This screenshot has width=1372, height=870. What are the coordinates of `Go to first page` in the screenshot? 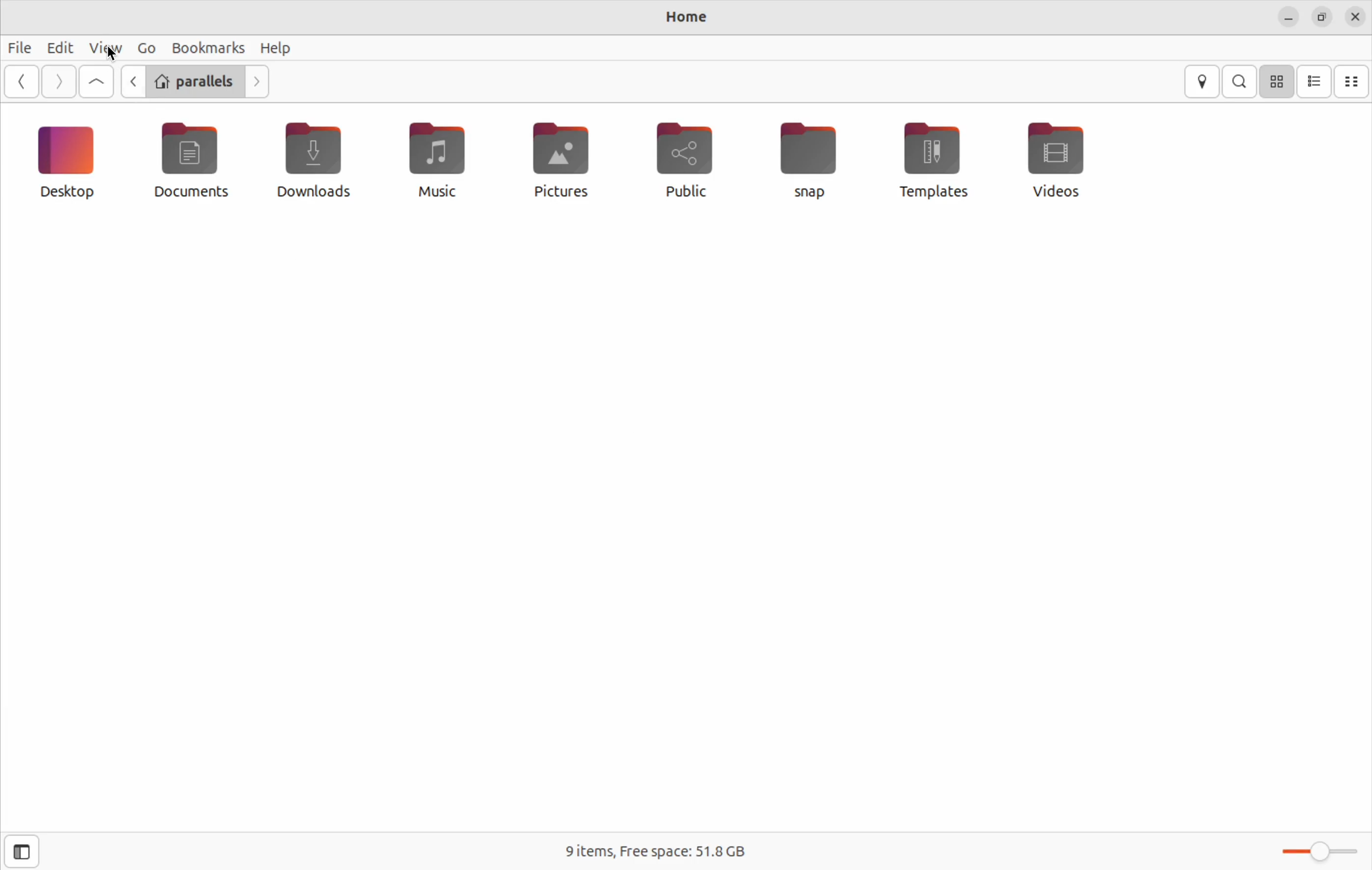 It's located at (98, 81).